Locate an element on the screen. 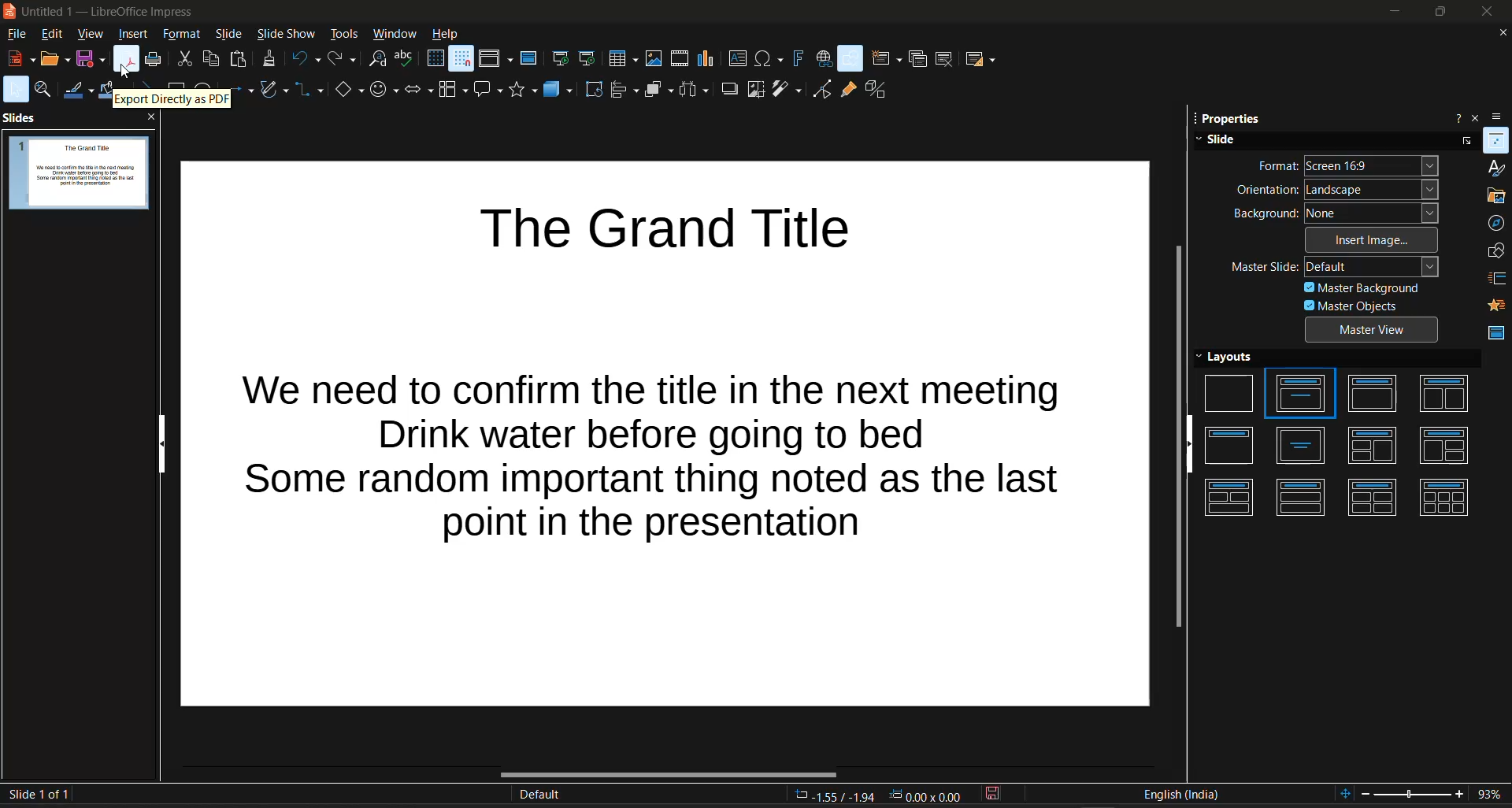 The height and width of the screenshot is (808, 1512). Default is located at coordinates (540, 795).